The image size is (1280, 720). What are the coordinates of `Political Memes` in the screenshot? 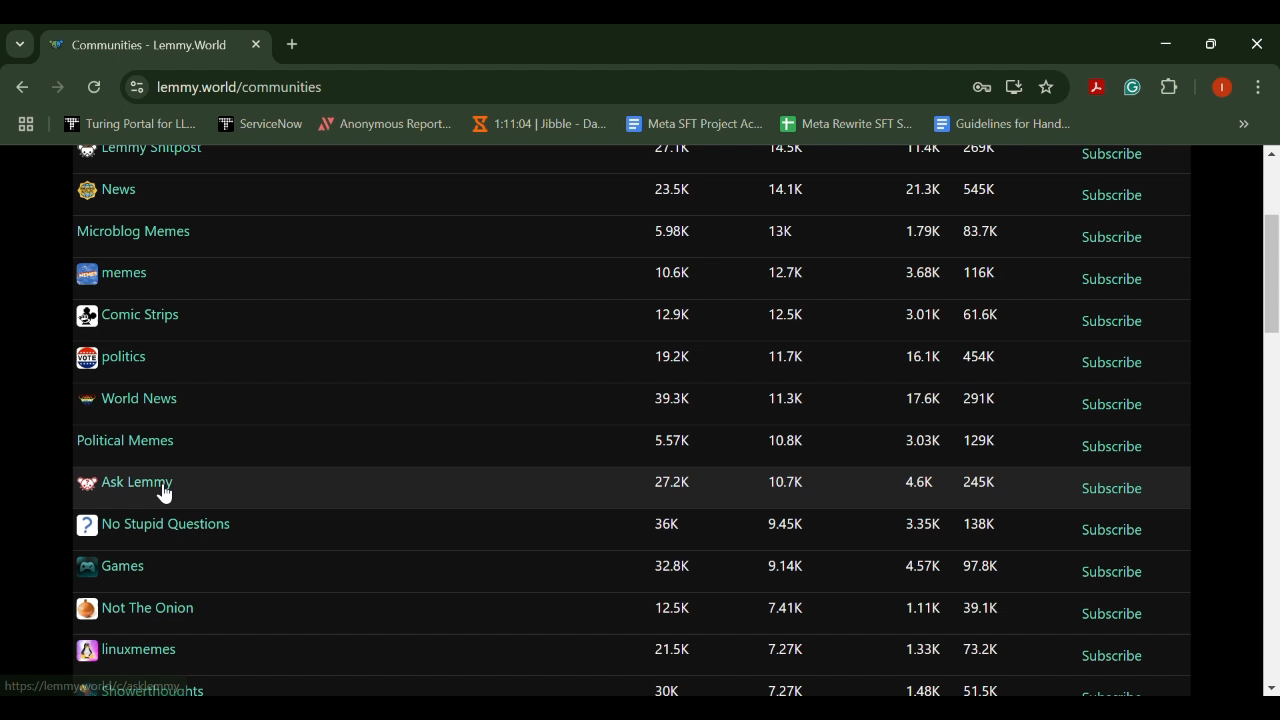 It's located at (126, 440).